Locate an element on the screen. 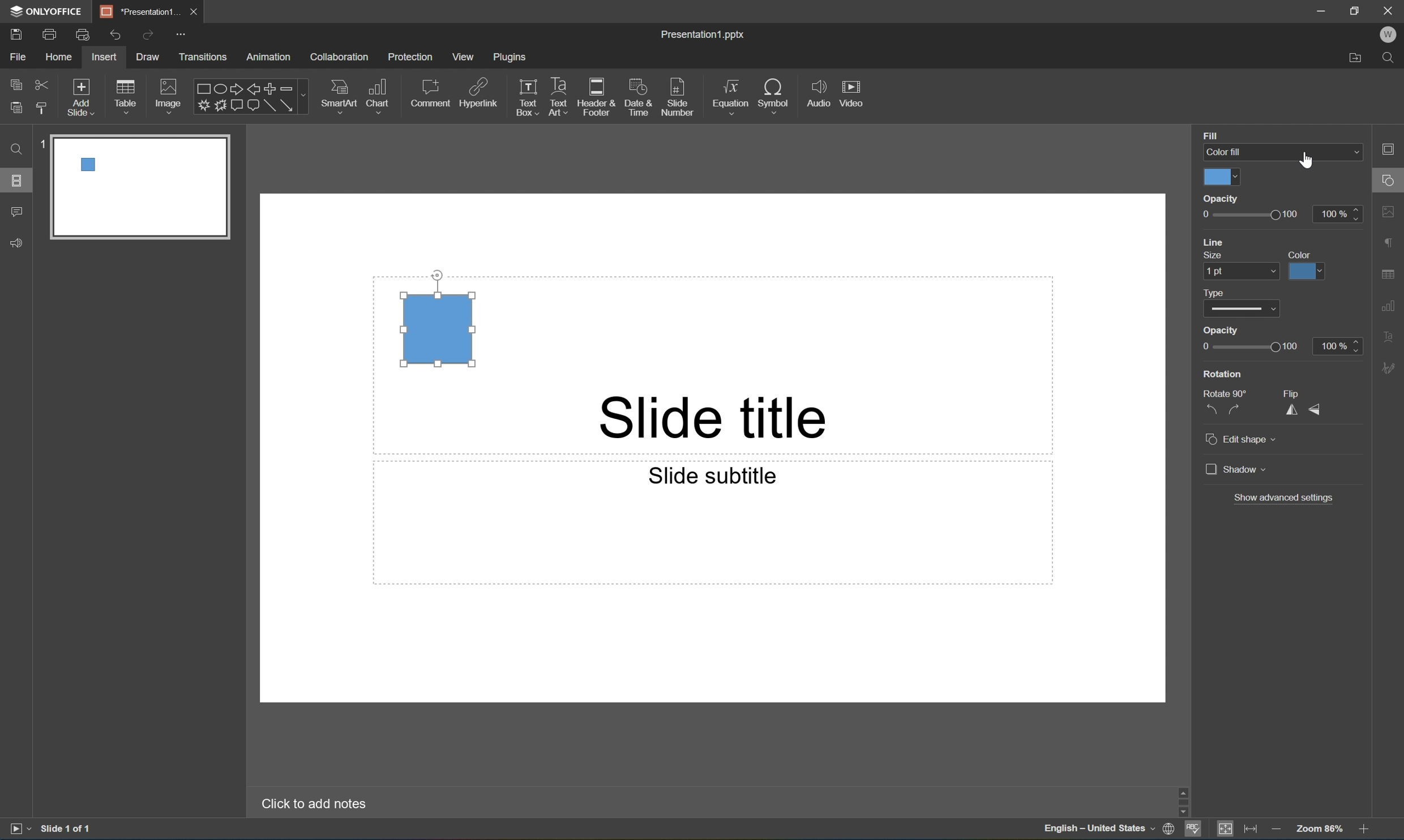 The width and height of the screenshot is (1404, 840). Chart settings is located at coordinates (1391, 306).